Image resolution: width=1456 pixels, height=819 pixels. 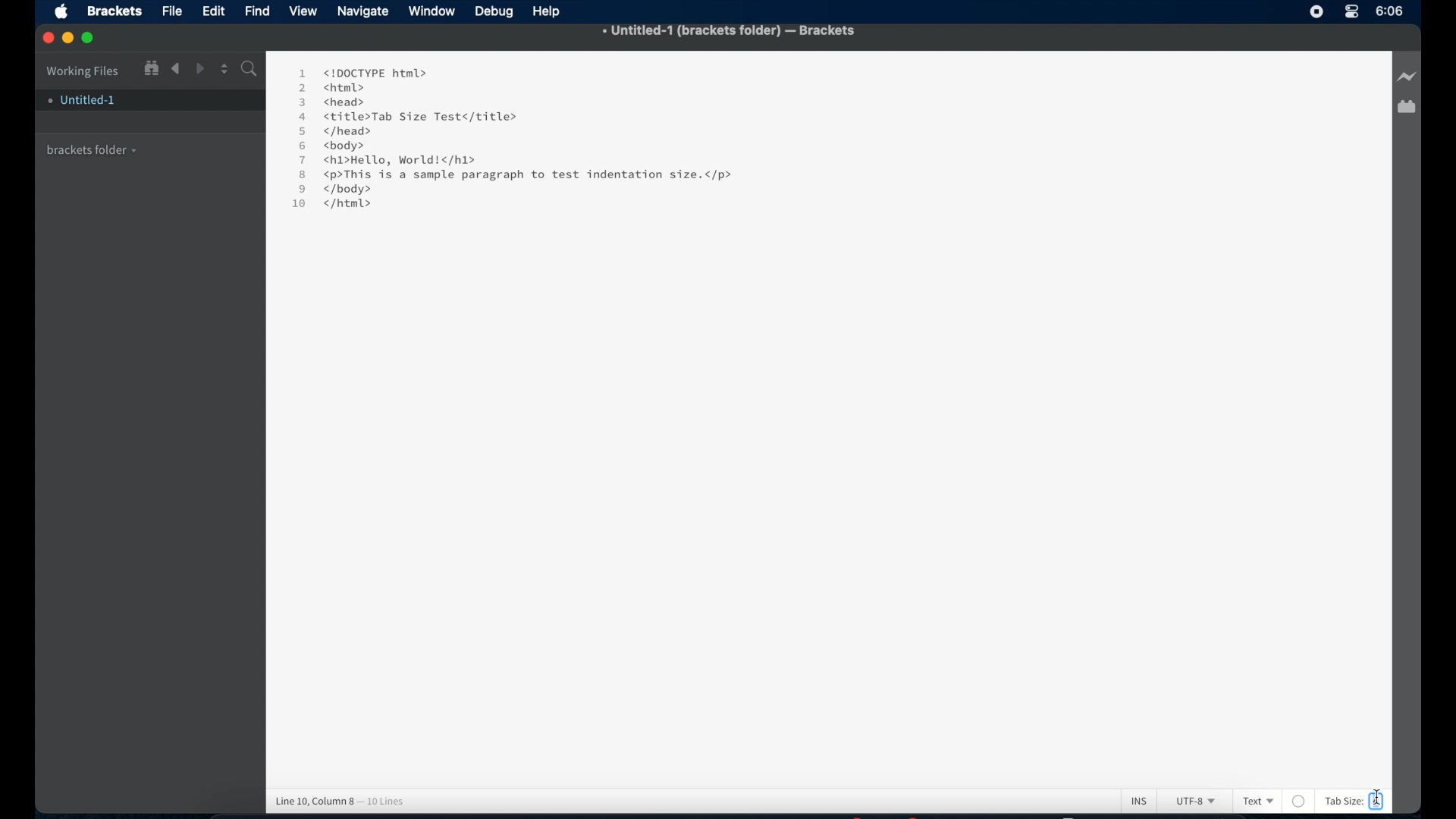 I want to click on Close, so click(x=49, y=39).